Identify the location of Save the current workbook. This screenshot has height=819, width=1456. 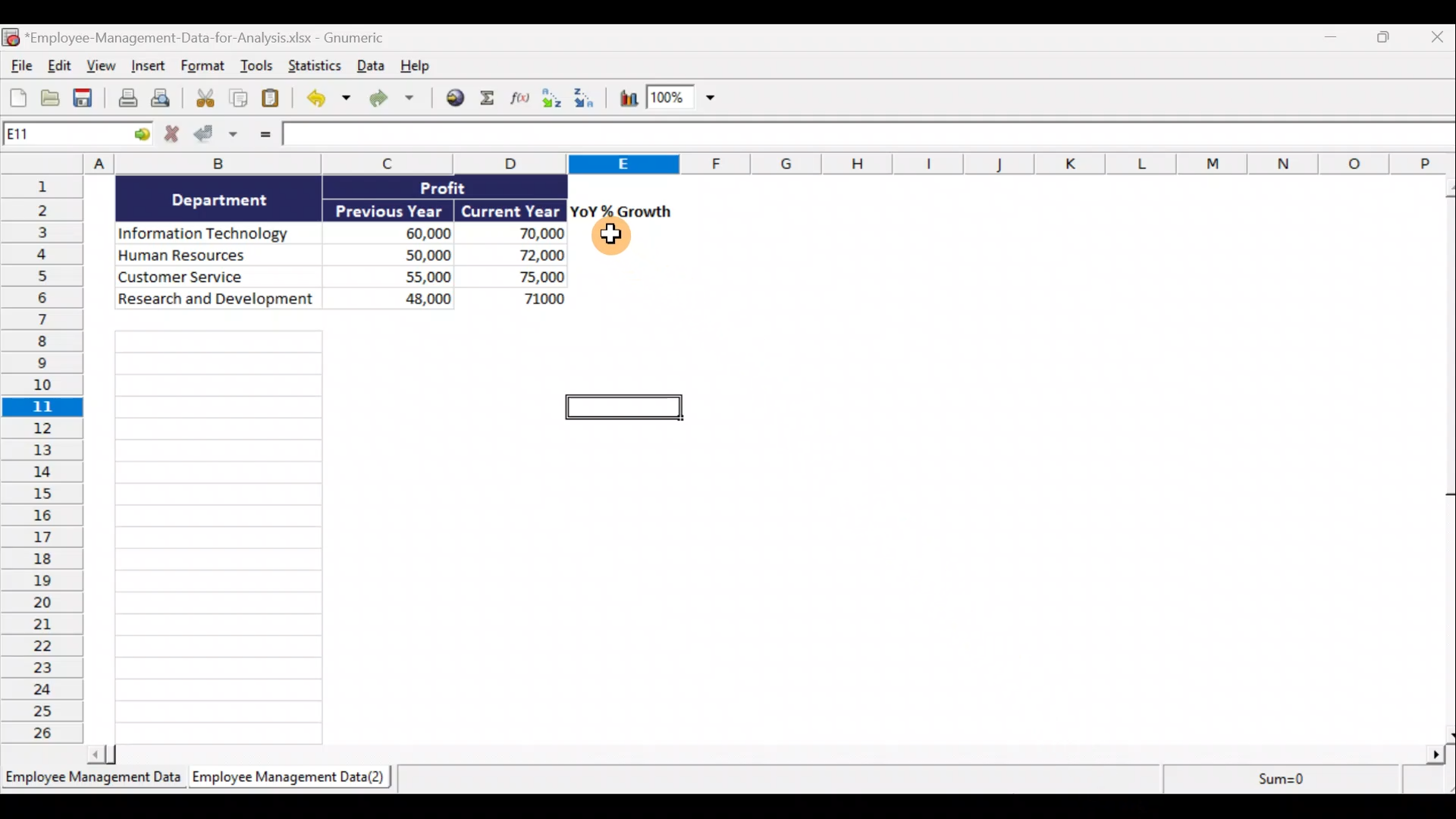
(86, 99).